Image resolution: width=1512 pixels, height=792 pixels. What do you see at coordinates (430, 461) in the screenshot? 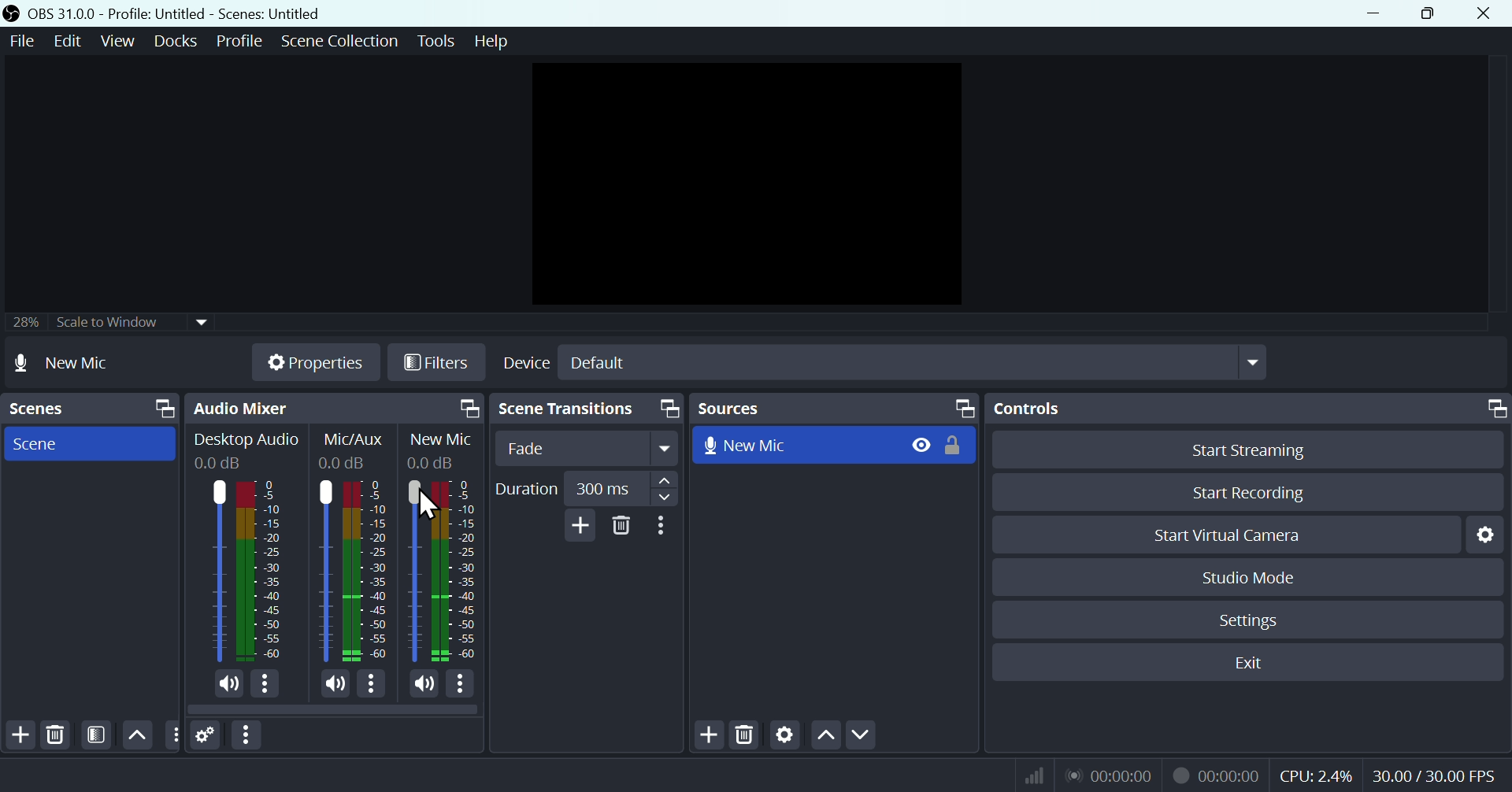
I see `0.0dB` at bounding box center [430, 461].